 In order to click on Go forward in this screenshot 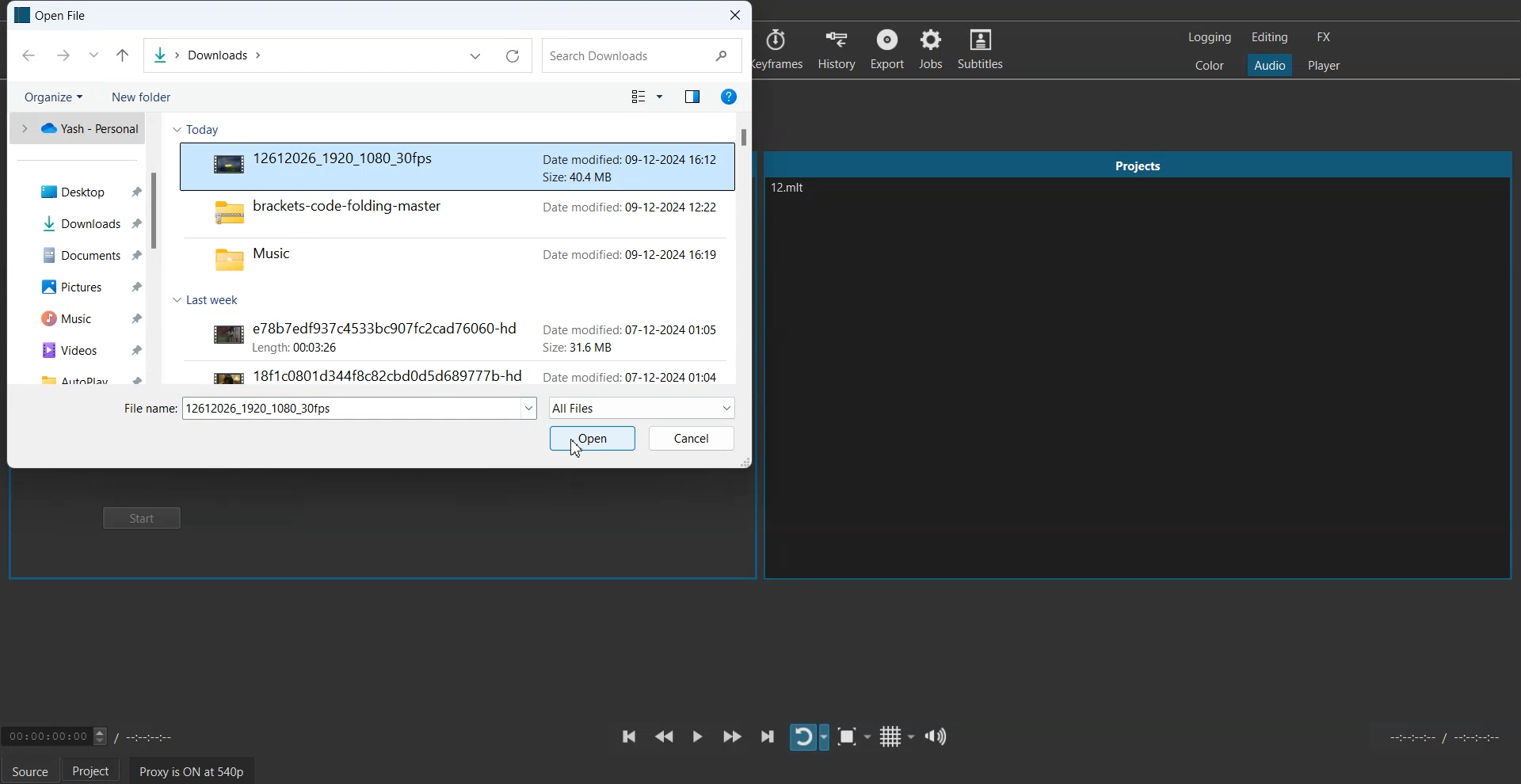, I will do `click(60, 55)`.